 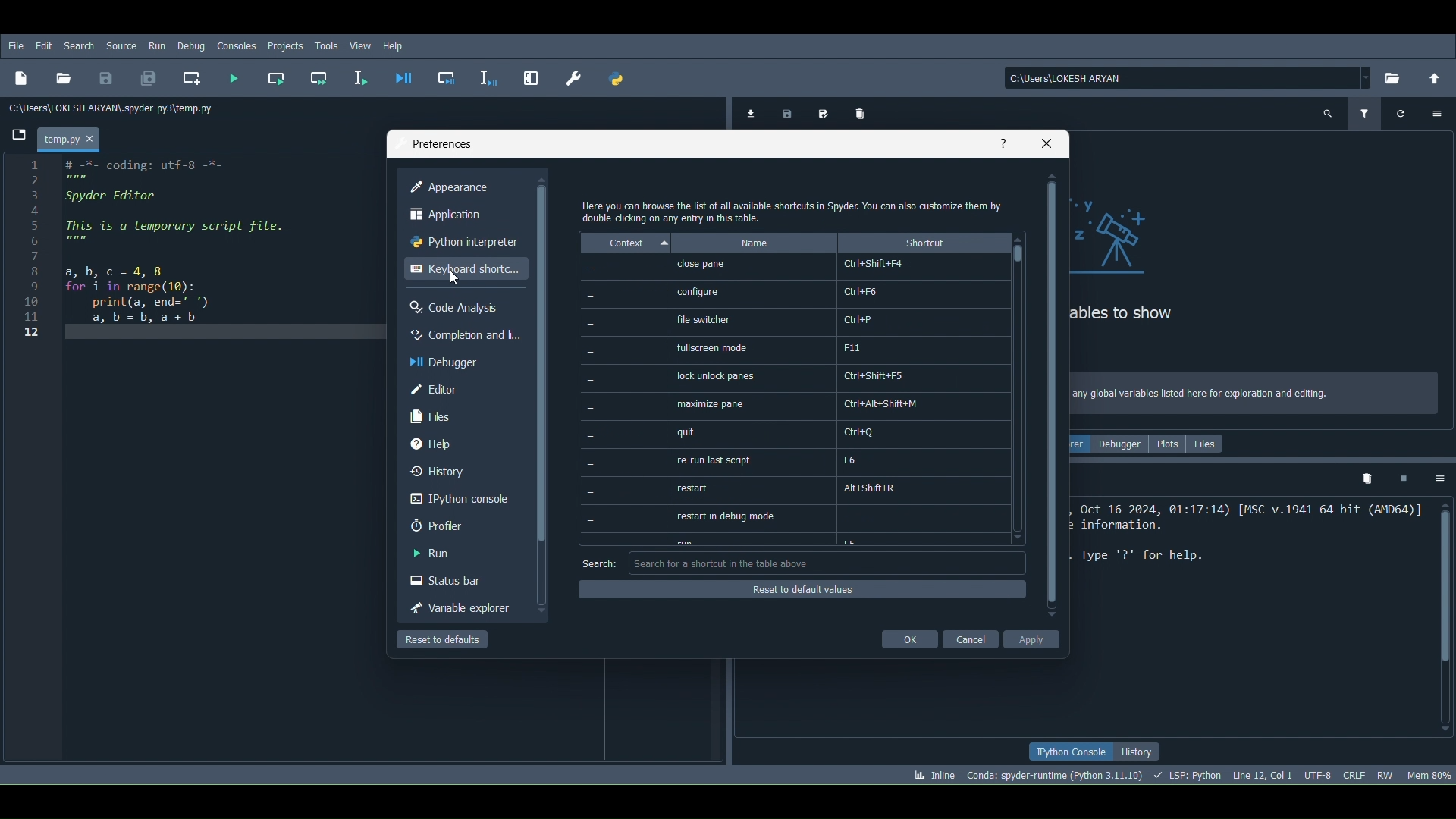 What do you see at coordinates (463, 337) in the screenshot?
I see `Completion and linting` at bounding box center [463, 337].